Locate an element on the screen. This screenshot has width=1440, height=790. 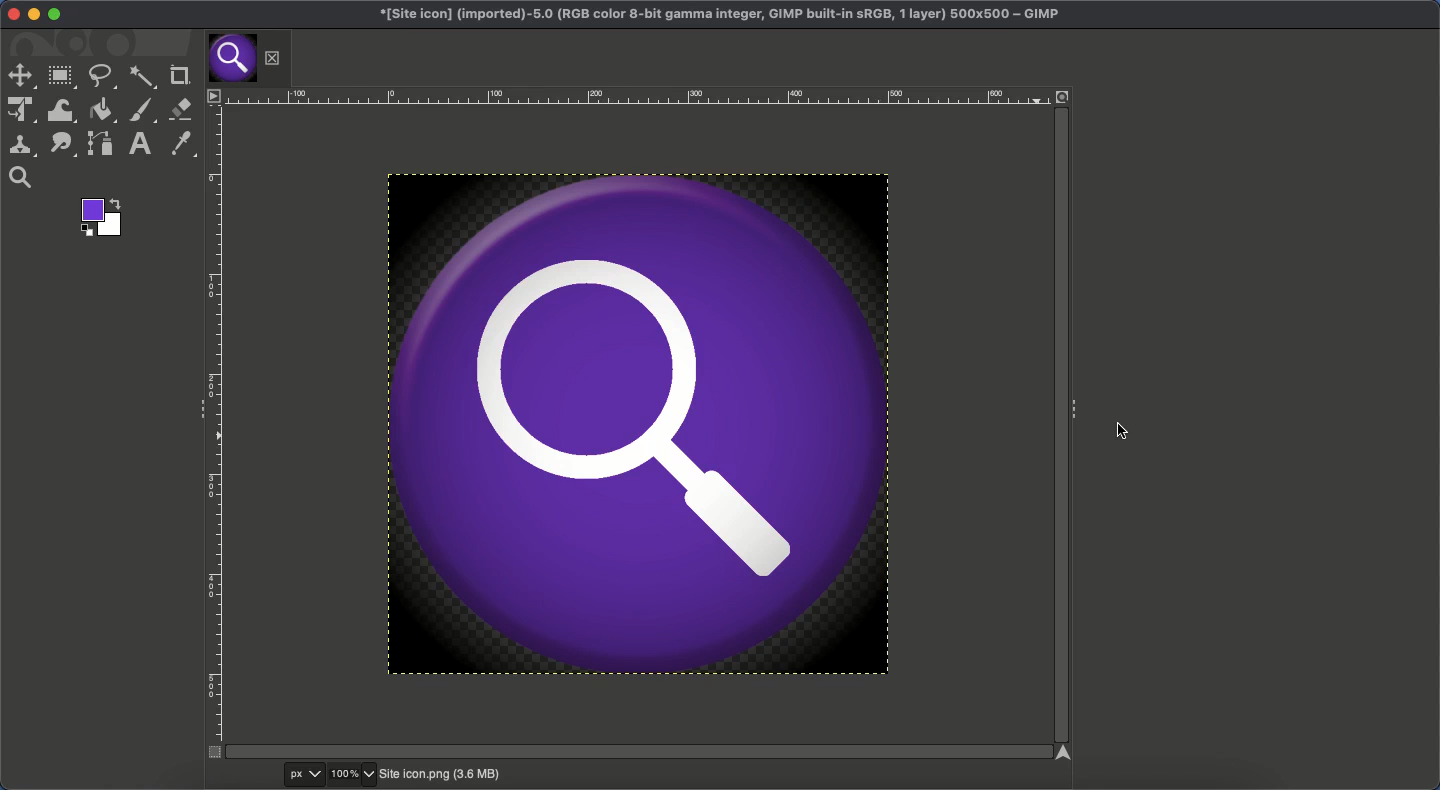
Smudge is located at coordinates (63, 145).